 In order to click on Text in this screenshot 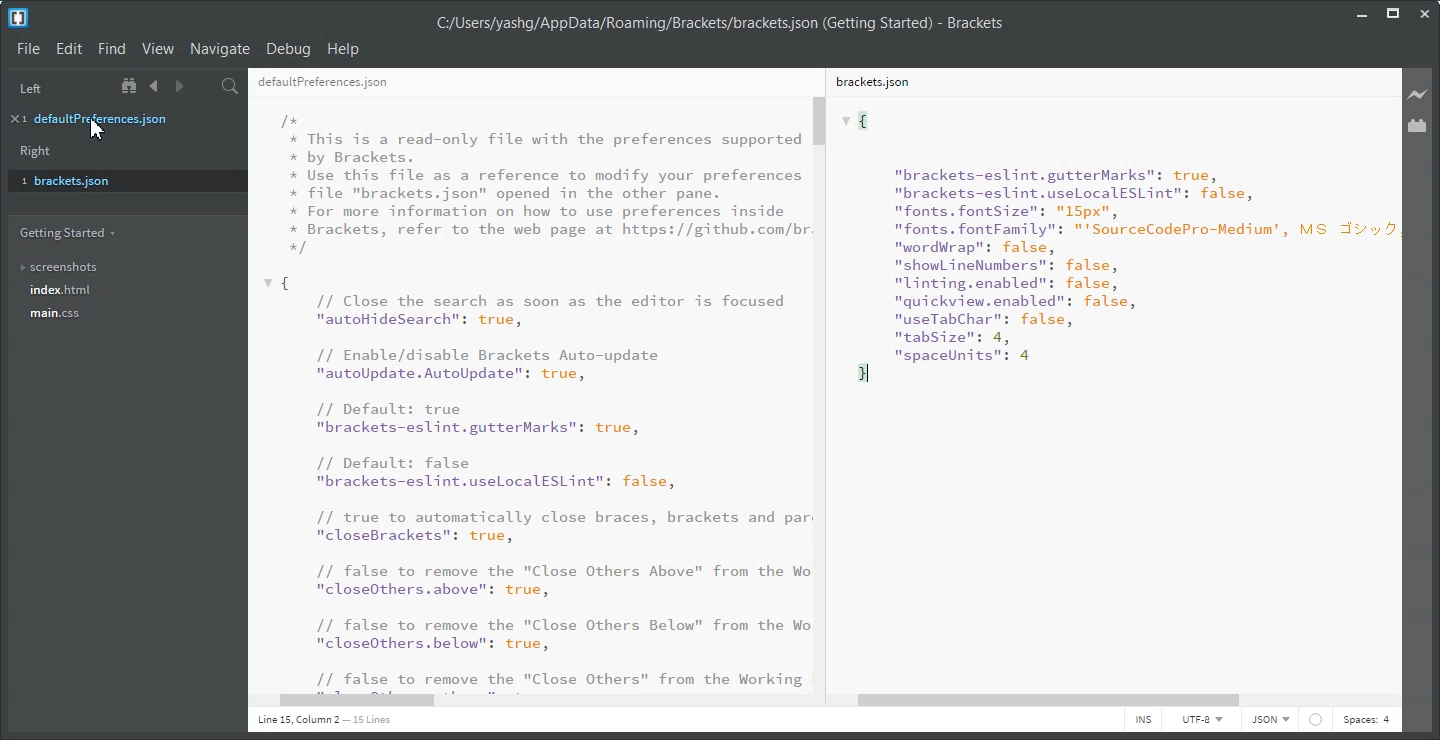, I will do `click(324, 720)`.